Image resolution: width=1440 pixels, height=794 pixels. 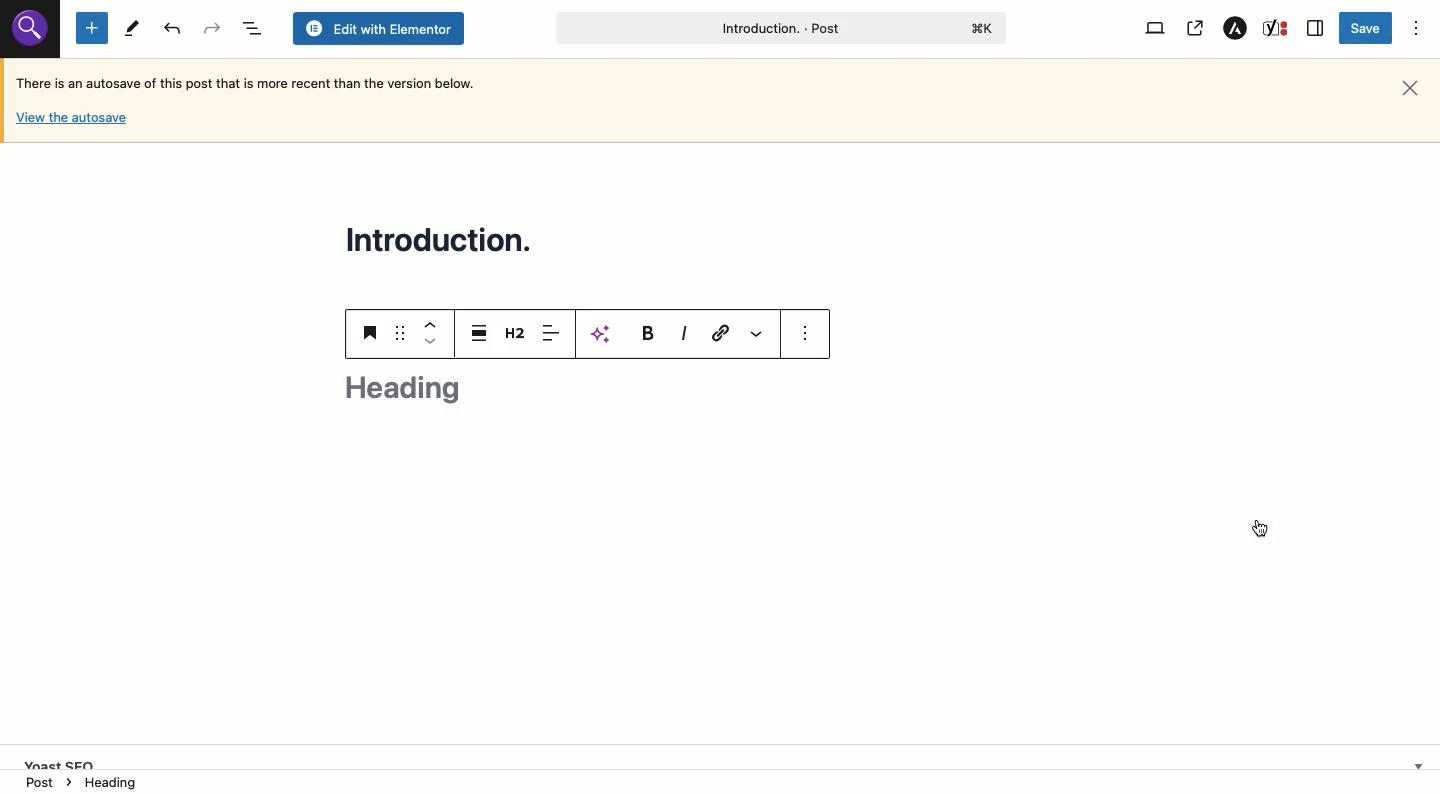 What do you see at coordinates (477, 332) in the screenshot?
I see `Justification` at bounding box center [477, 332].